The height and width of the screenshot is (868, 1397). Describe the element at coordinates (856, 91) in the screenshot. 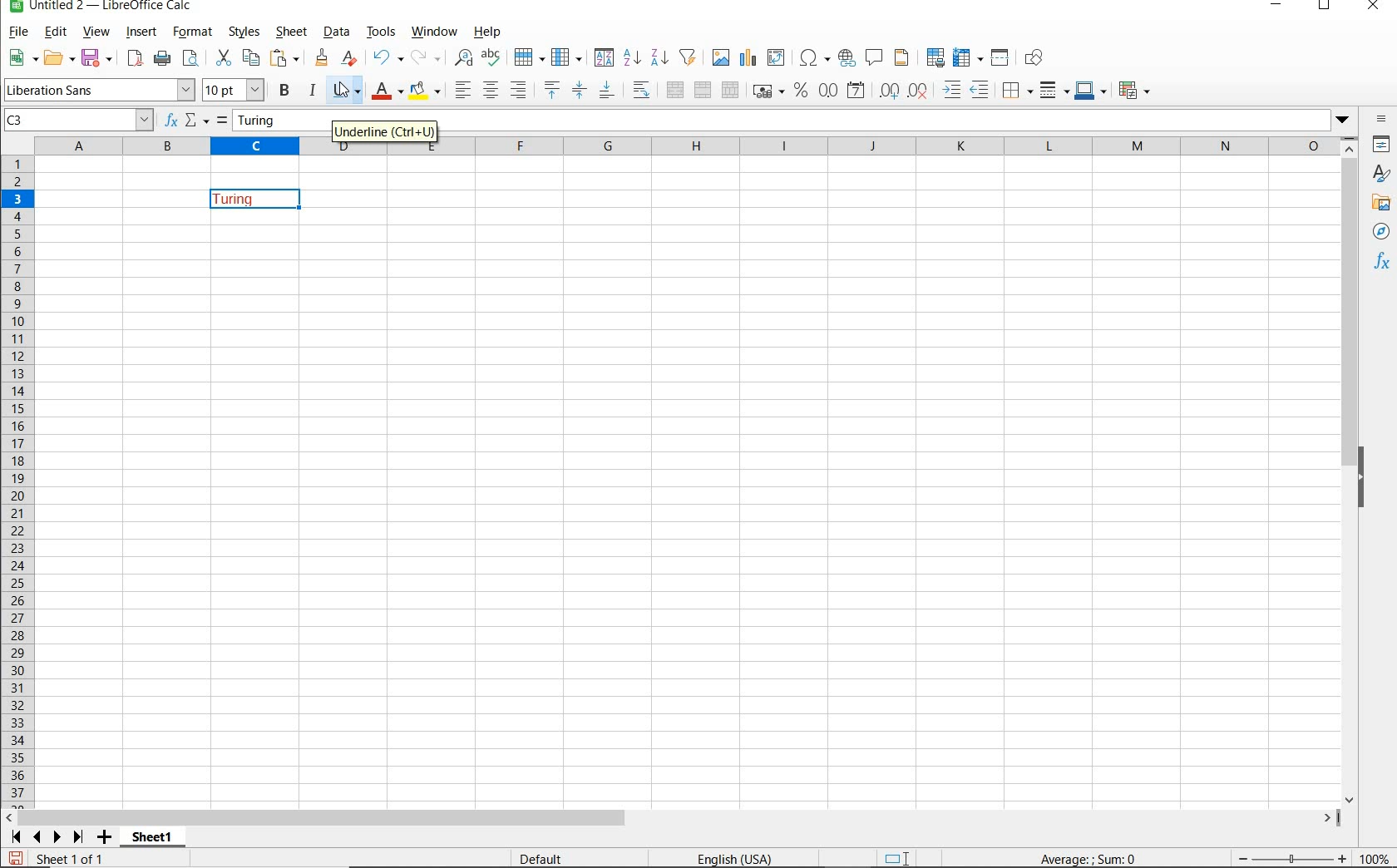

I see `FORMAT AS DATE` at that location.